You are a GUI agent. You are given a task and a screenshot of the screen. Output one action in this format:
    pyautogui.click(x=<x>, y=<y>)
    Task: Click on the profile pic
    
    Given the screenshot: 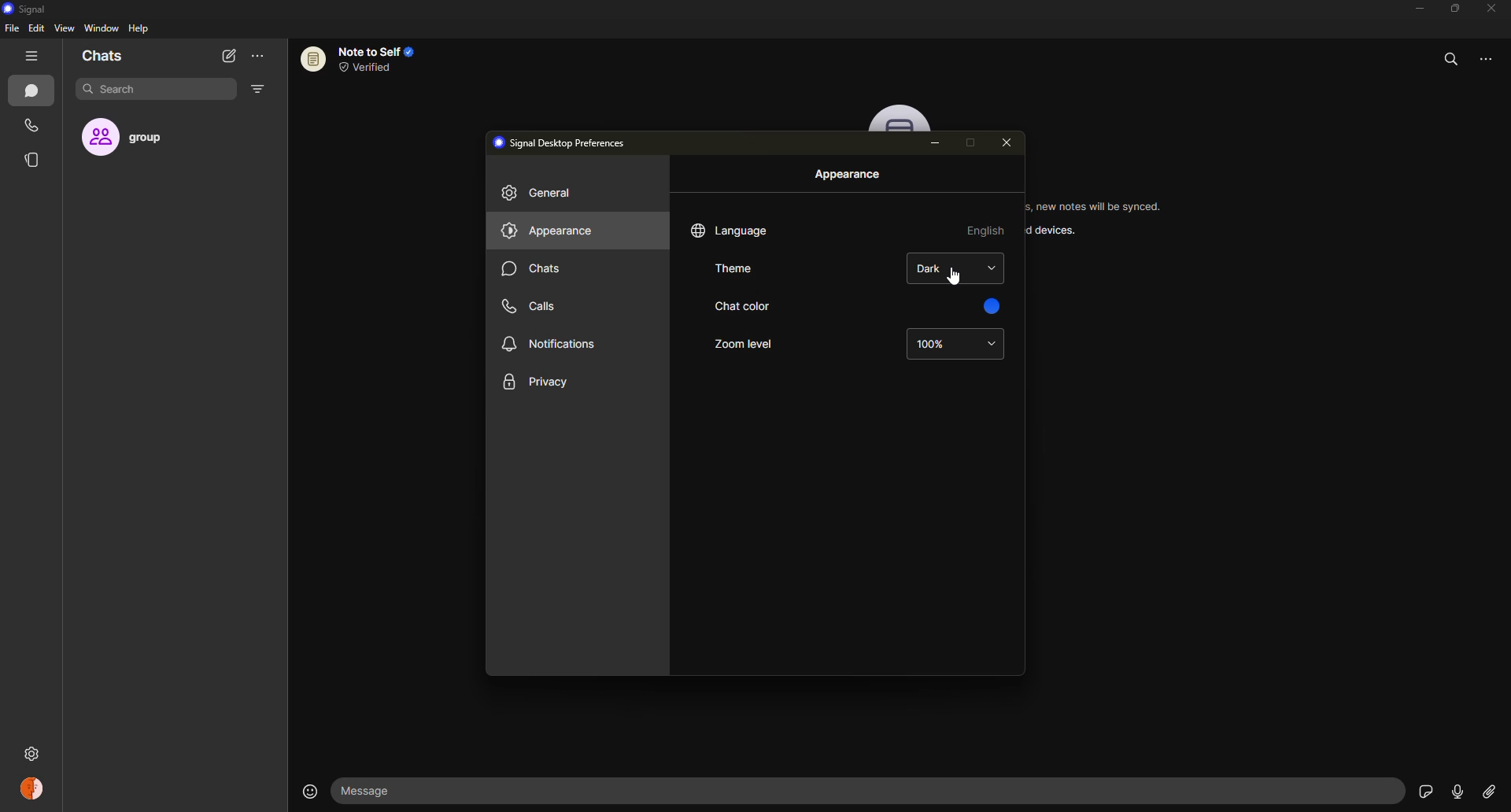 What is the action you would take?
    pyautogui.click(x=902, y=118)
    